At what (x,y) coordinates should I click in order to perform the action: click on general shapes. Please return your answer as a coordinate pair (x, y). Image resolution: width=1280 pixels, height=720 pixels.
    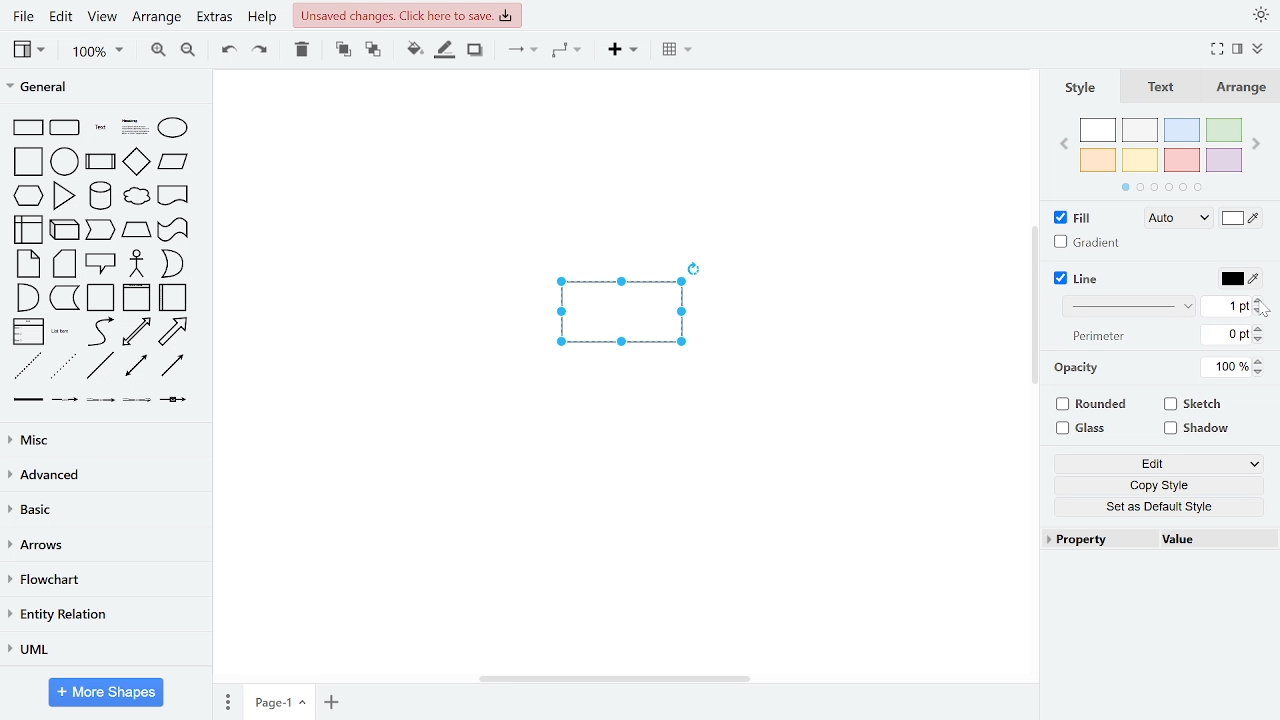
    Looking at the image, I should click on (101, 263).